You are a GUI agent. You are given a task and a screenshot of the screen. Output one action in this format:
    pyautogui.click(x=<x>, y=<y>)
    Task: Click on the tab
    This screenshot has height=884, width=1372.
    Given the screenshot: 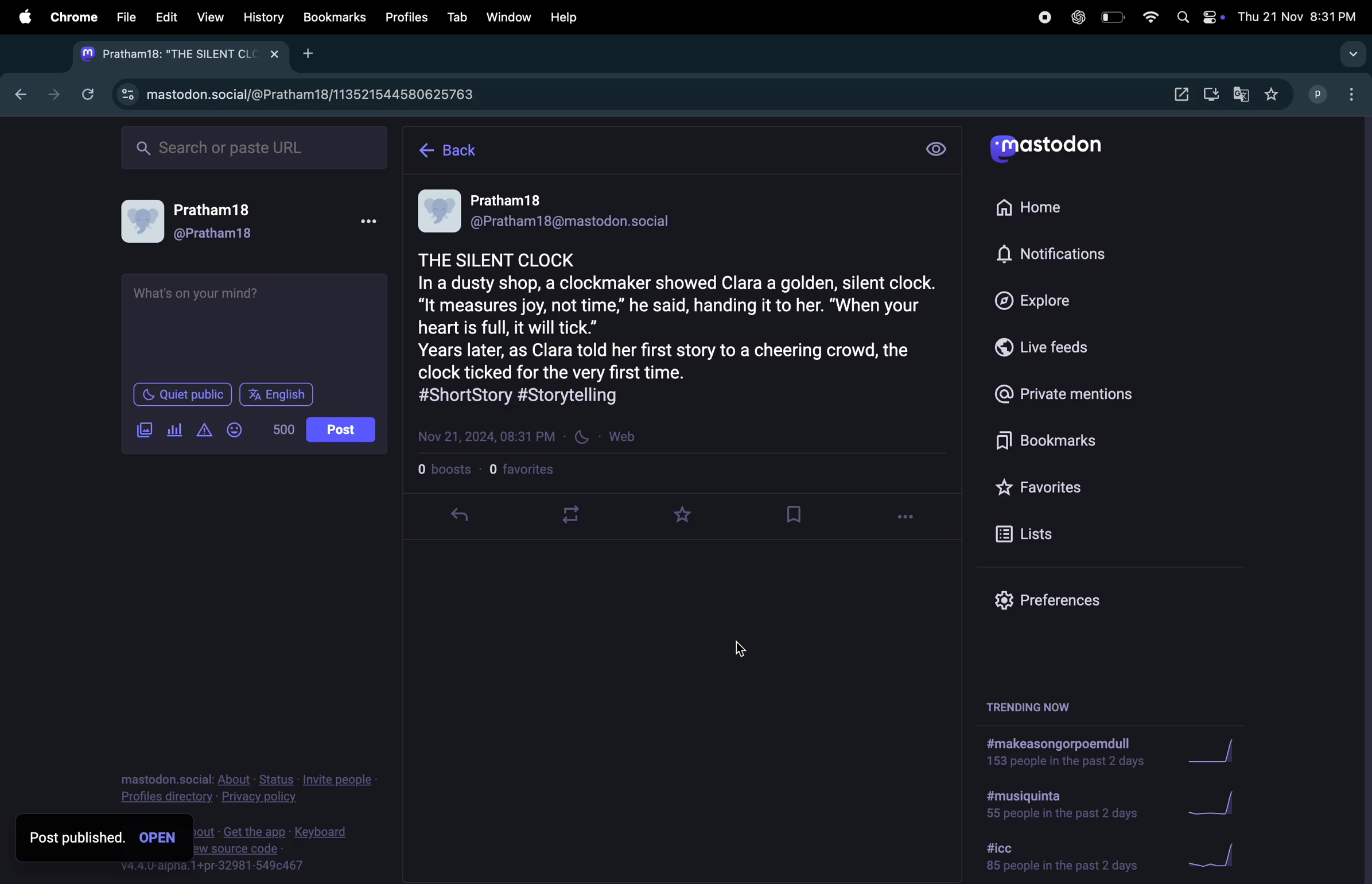 What is the action you would take?
    pyautogui.click(x=457, y=17)
    